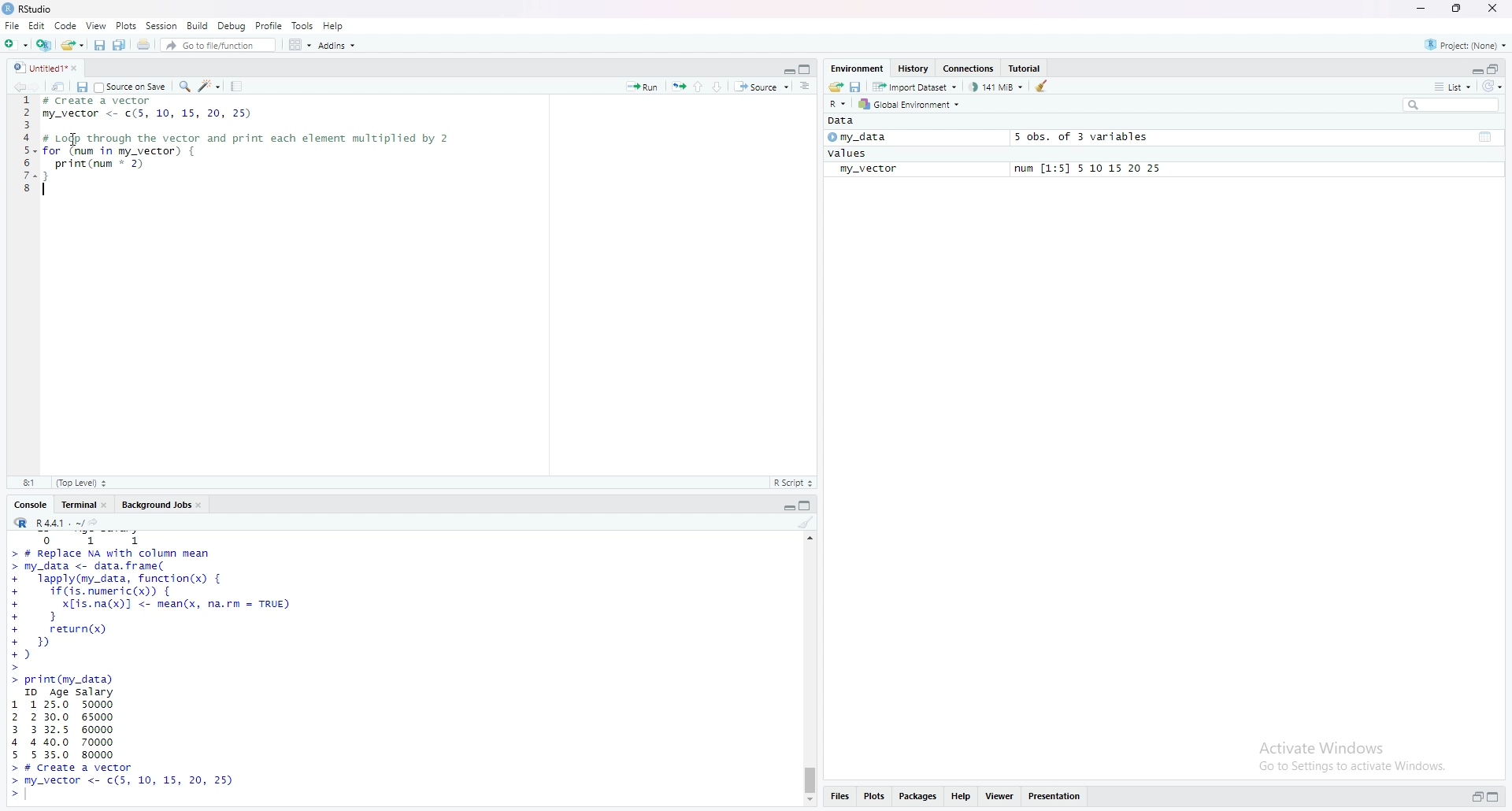  What do you see at coordinates (1091, 169) in the screenshot?
I see `num [1:5] 5 10 15 20 25` at bounding box center [1091, 169].